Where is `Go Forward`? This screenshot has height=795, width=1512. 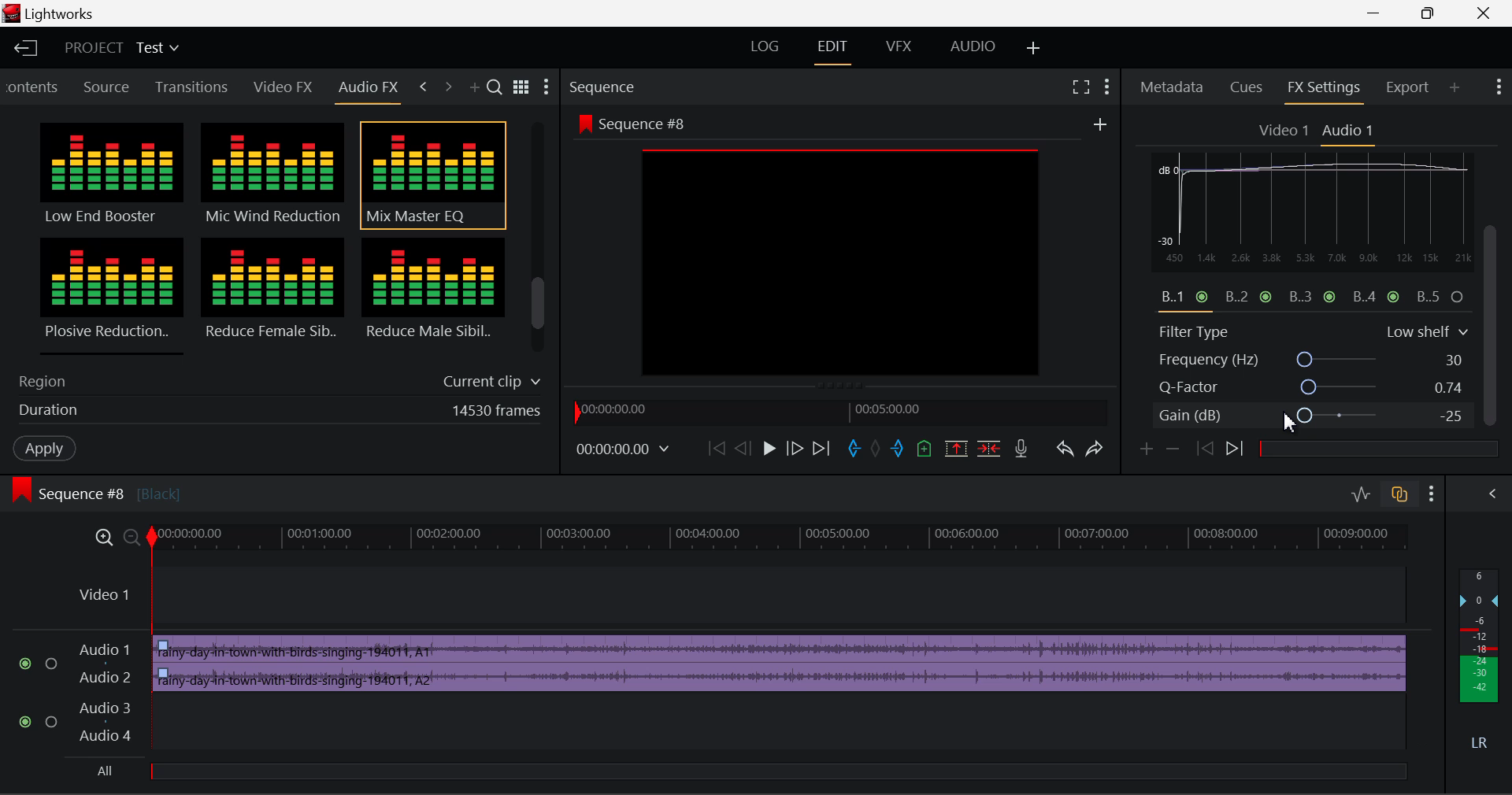
Go Forward is located at coordinates (794, 449).